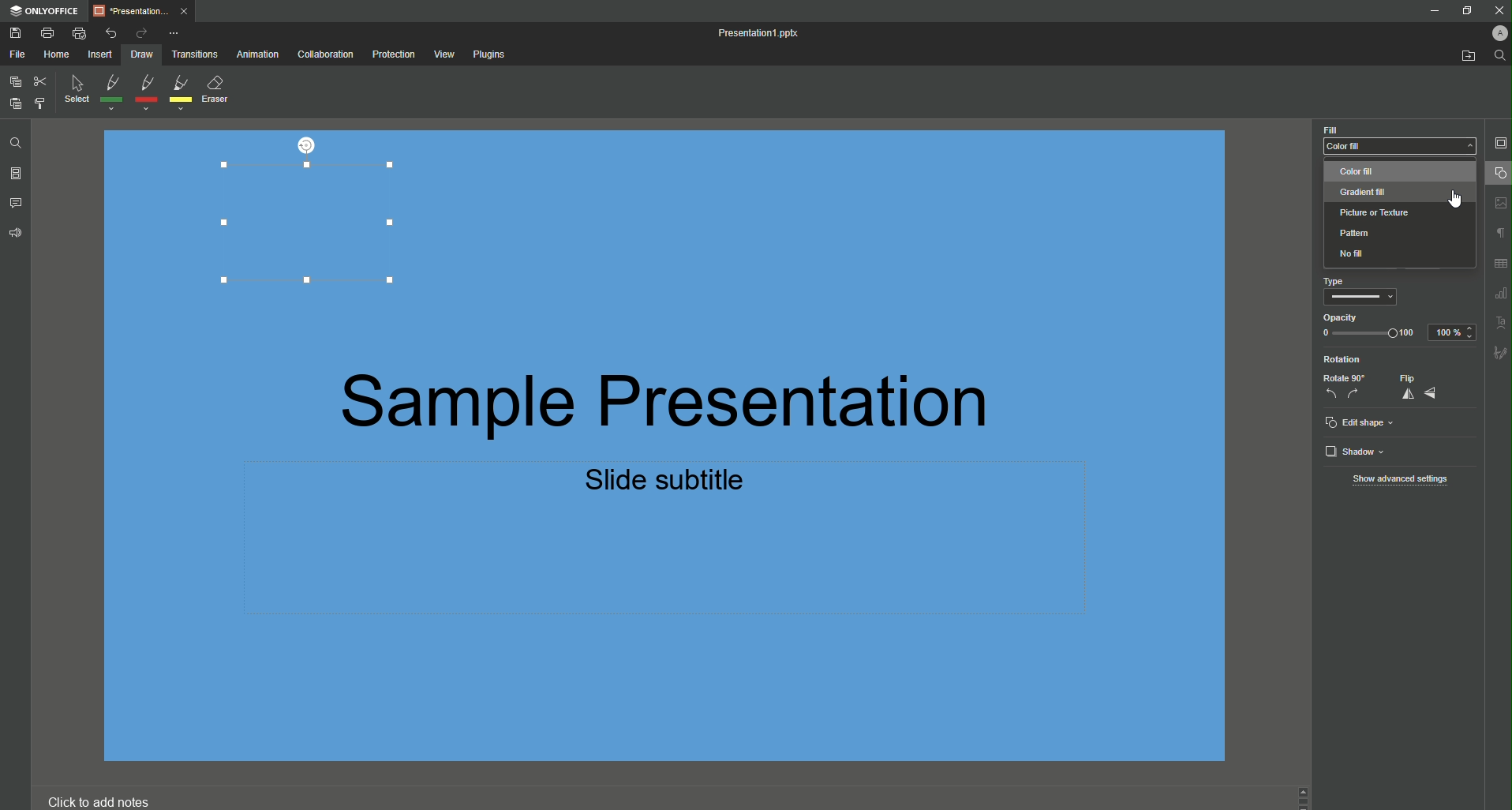 This screenshot has height=810, width=1512. Describe the element at coordinates (1342, 388) in the screenshot. I see `Rotate 90 deg` at that location.